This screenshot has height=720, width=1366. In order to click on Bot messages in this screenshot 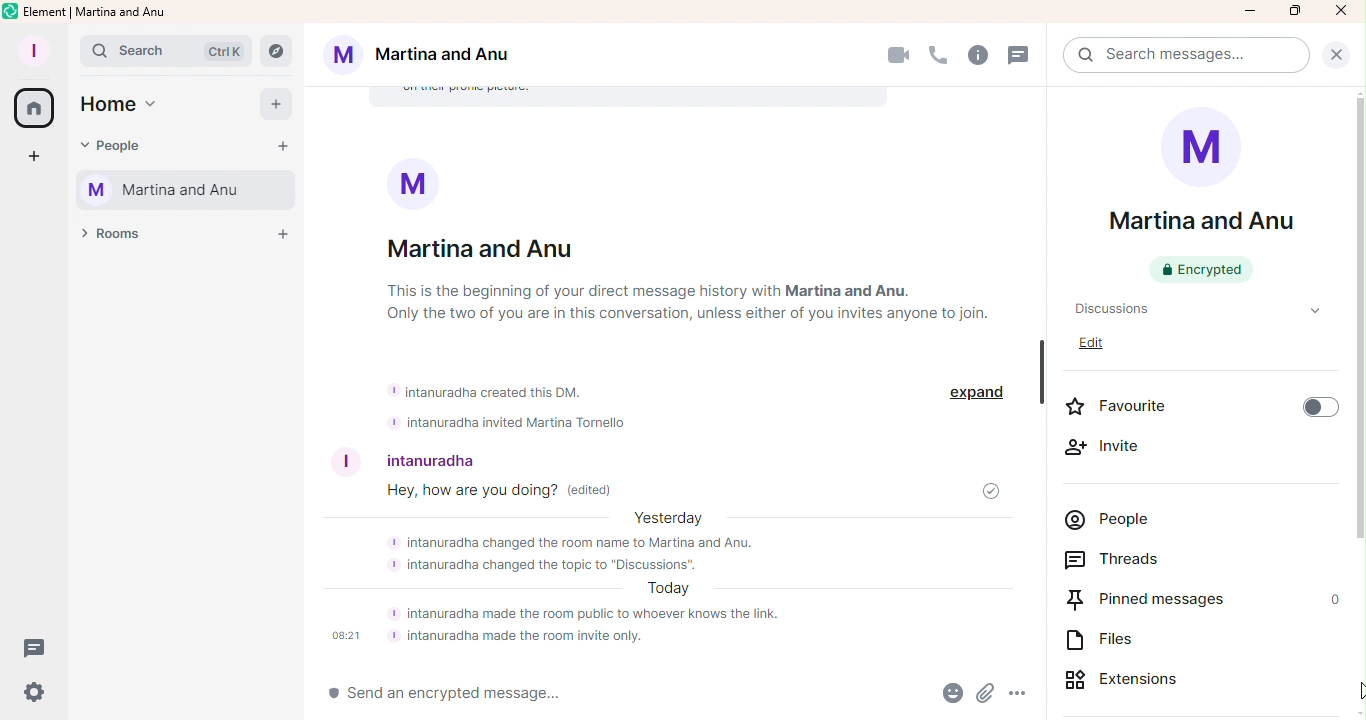, I will do `click(671, 584)`.